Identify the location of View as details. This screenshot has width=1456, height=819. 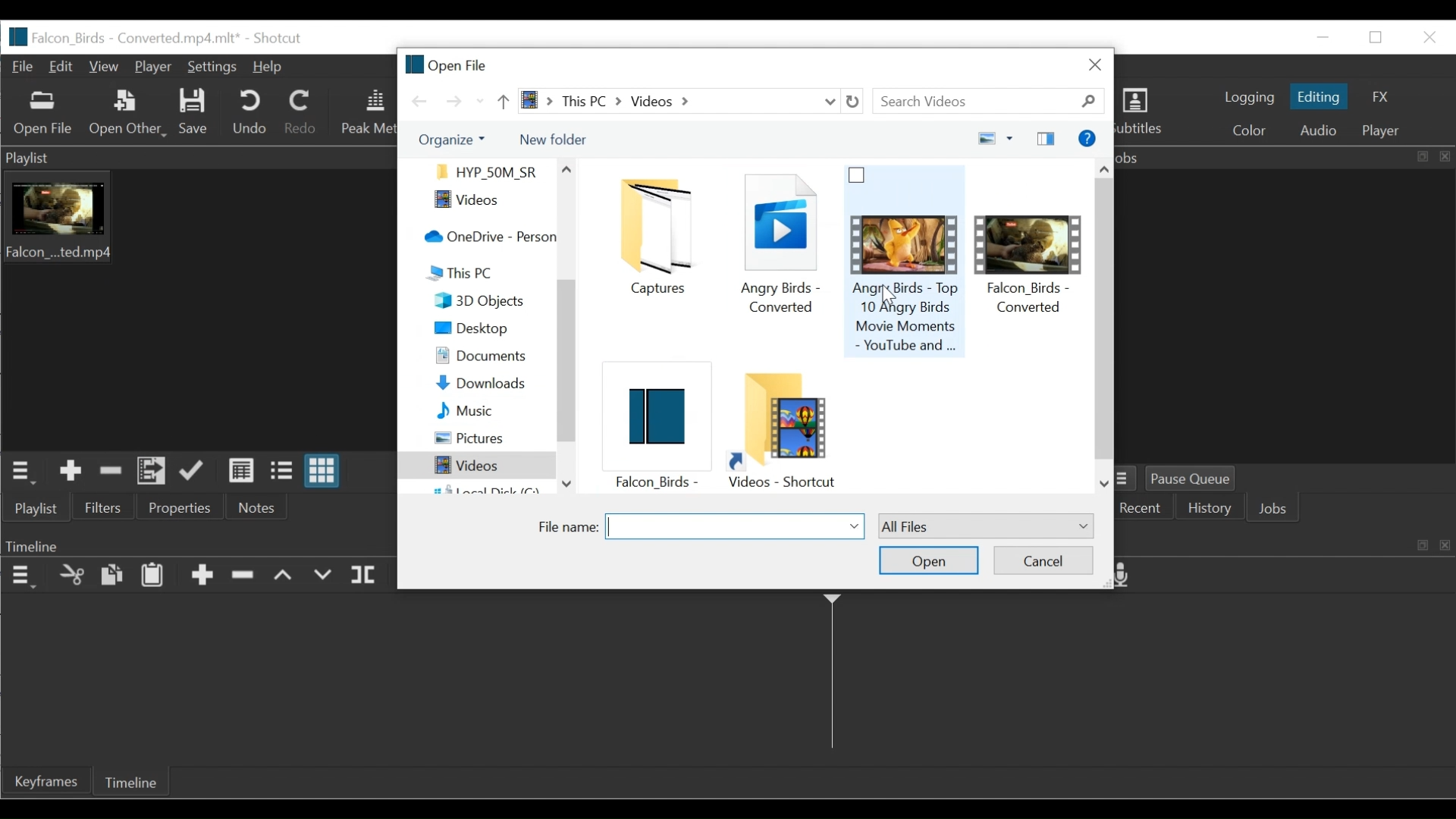
(243, 472).